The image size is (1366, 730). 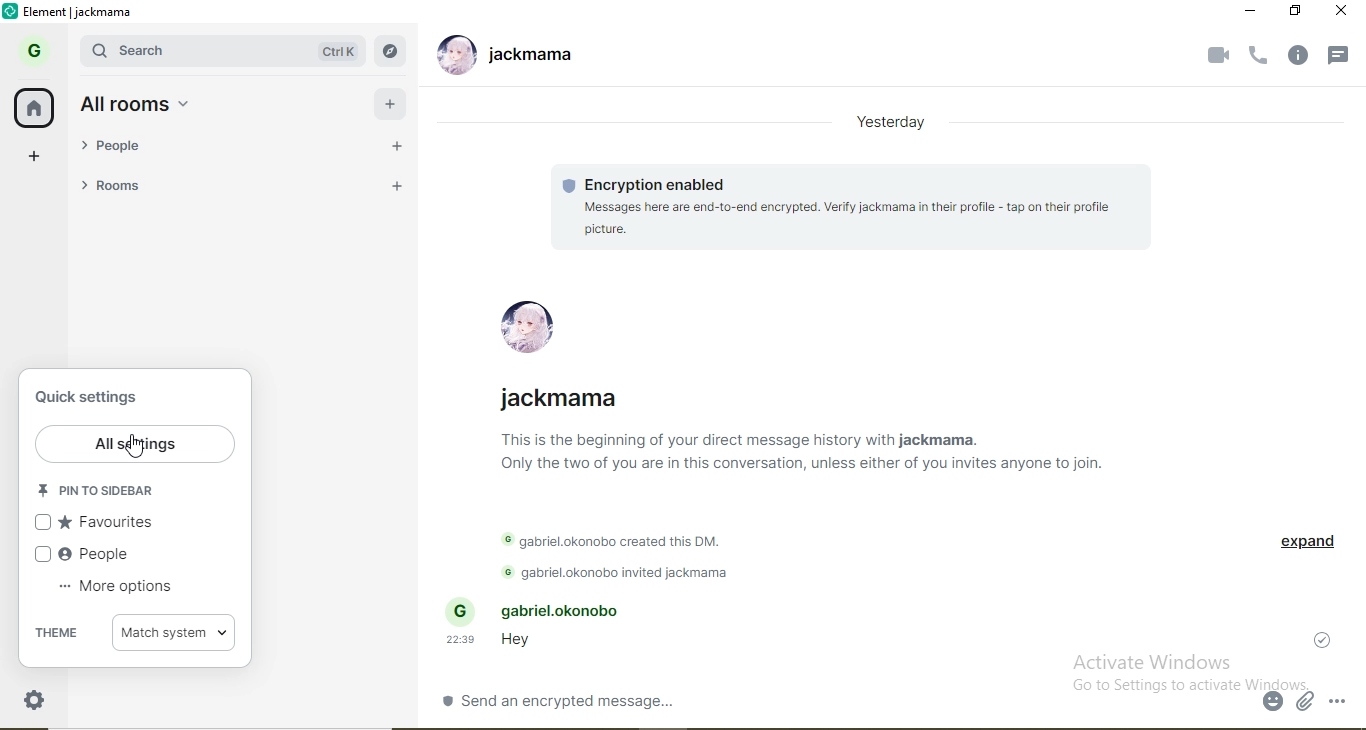 What do you see at coordinates (1345, 702) in the screenshot?
I see `options` at bounding box center [1345, 702].